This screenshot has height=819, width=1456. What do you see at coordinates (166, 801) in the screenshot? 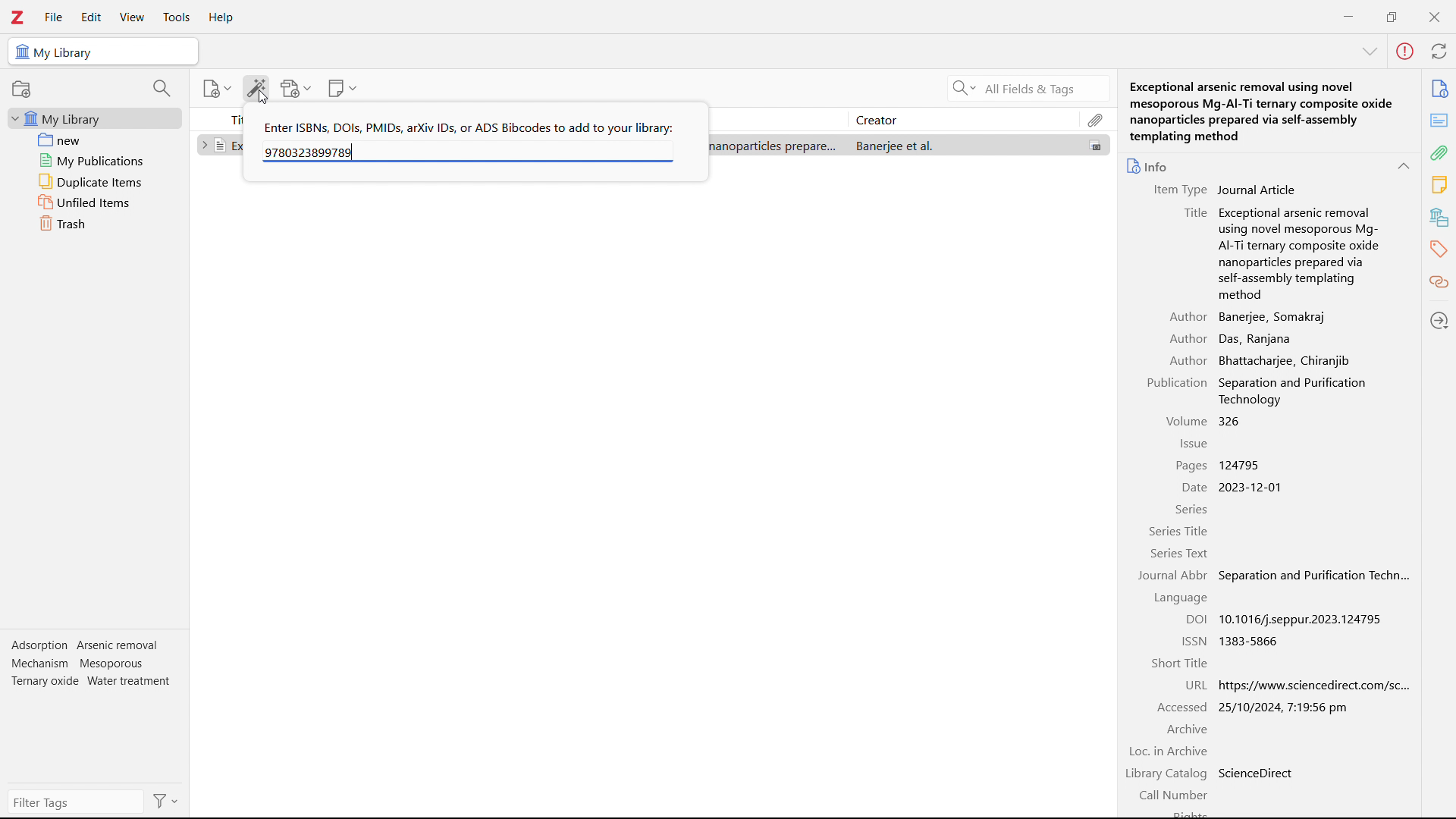
I see `actions` at bounding box center [166, 801].